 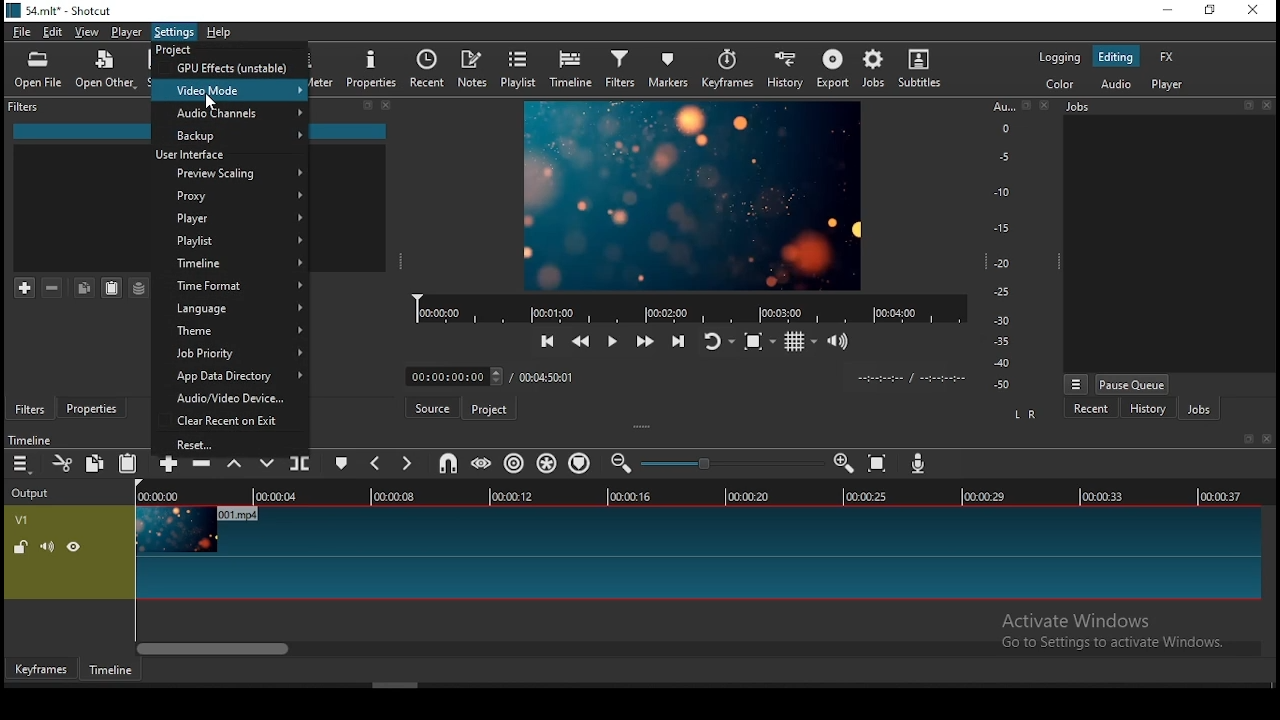 What do you see at coordinates (128, 33) in the screenshot?
I see `player` at bounding box center [128, 33].